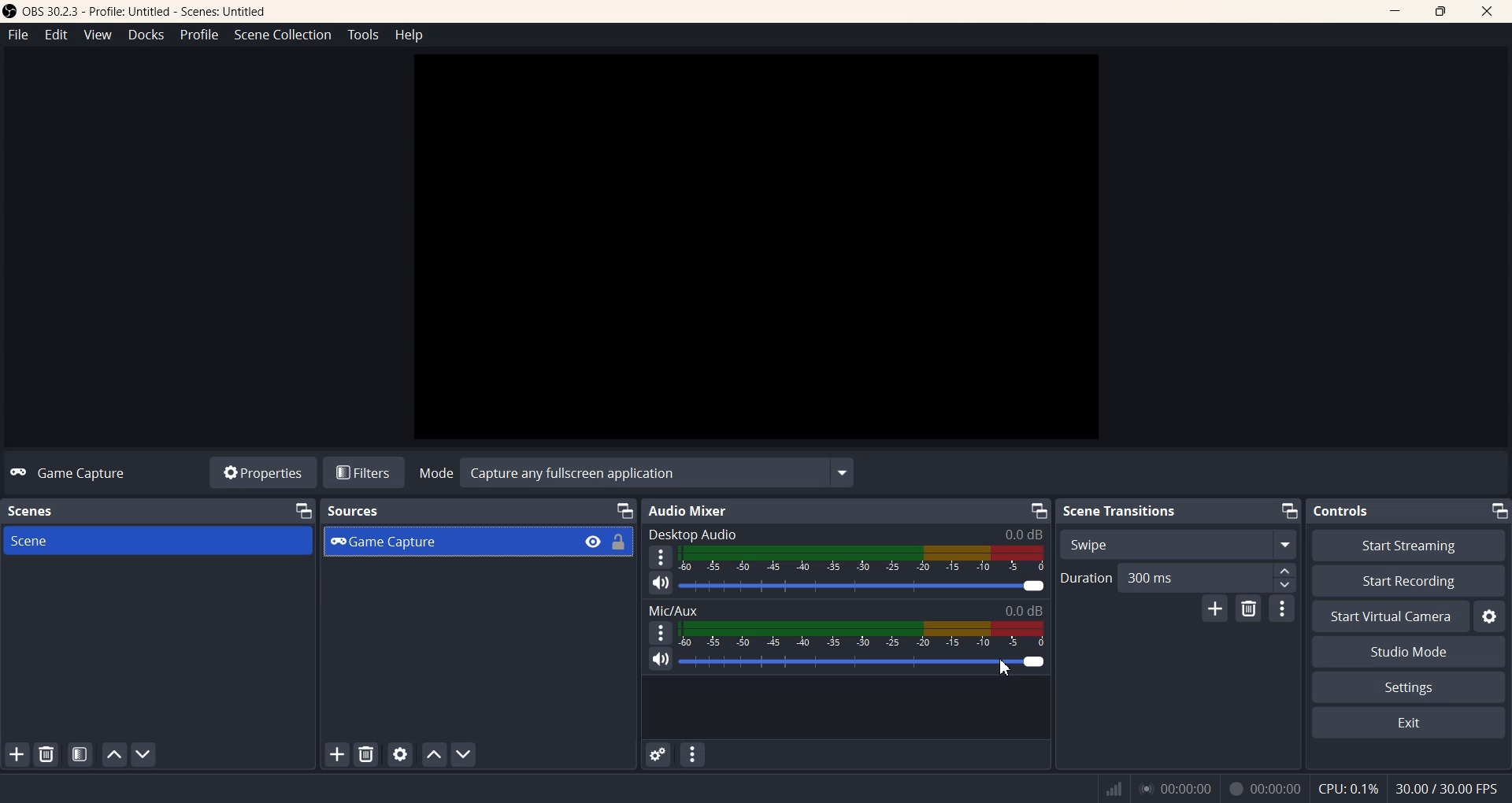 Image resolution: width=1512 pixels, height=803 pixels. Describe the element at coordinates (336, 756) in the screenshot. I see `Add Sources` at that location.